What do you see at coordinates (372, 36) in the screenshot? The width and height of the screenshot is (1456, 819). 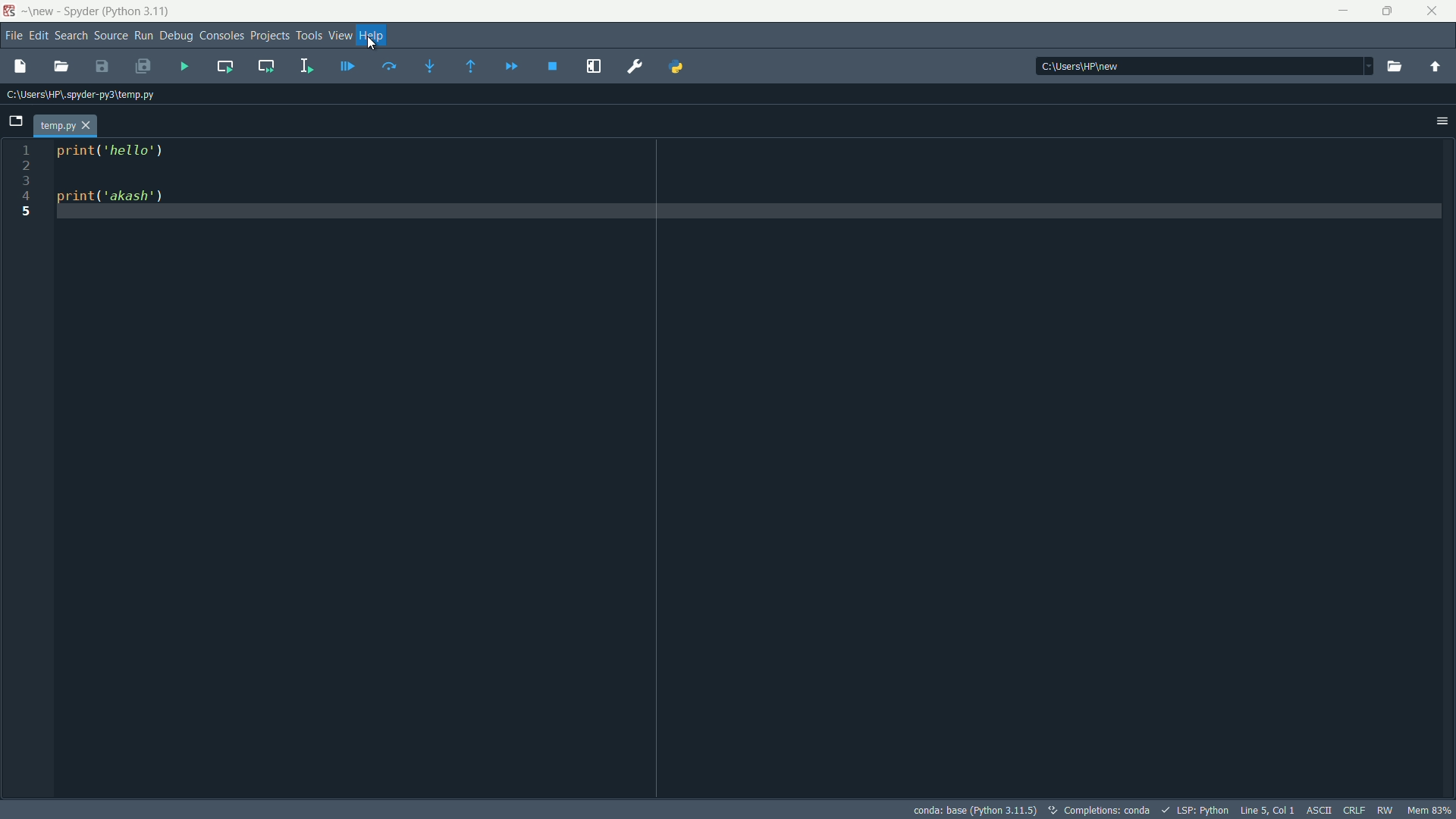 I see `help menu` at bounding box center [372, 36].